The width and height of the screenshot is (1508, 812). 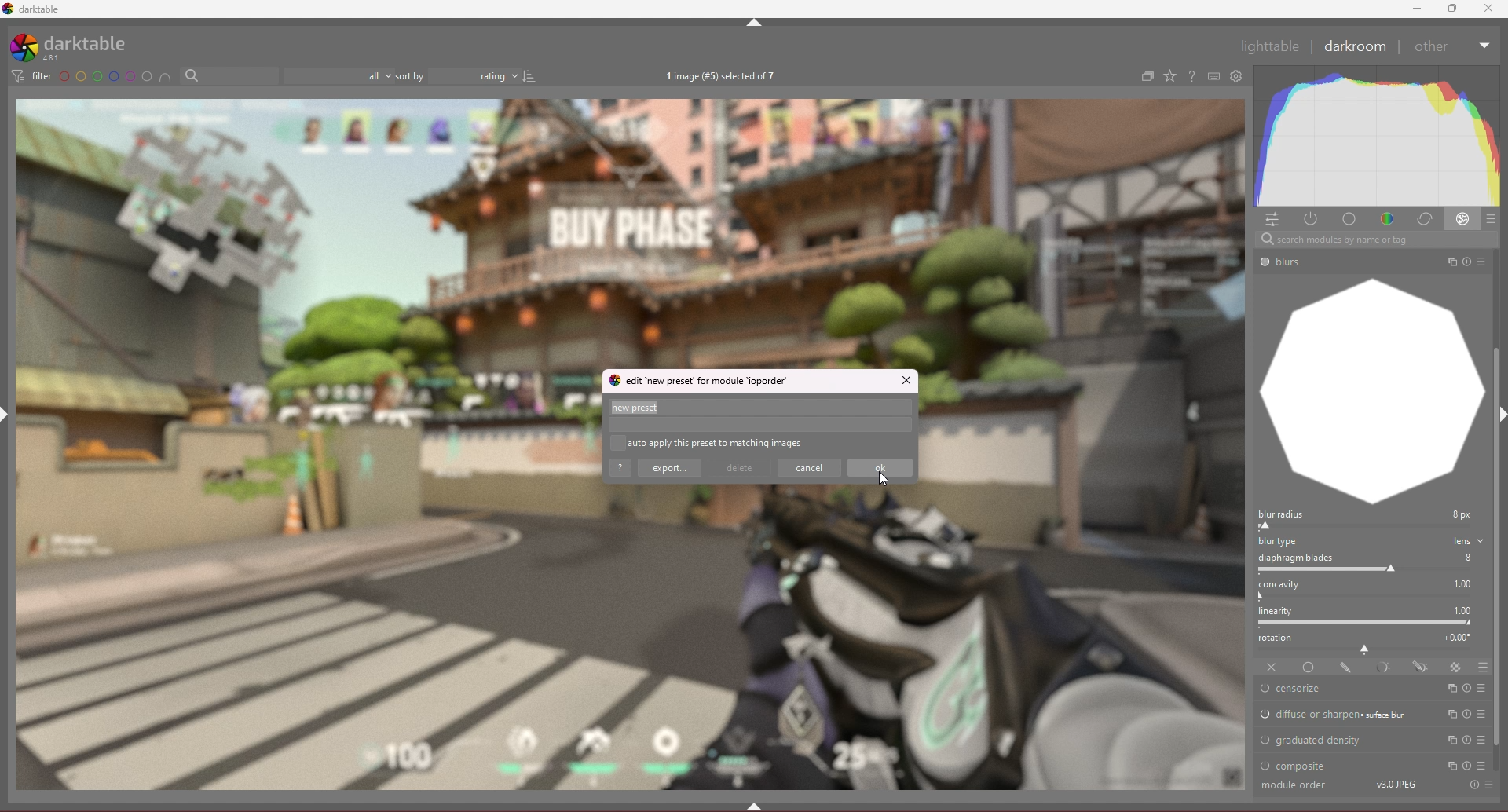 I want to click on rating, so click(x=474, y=75).